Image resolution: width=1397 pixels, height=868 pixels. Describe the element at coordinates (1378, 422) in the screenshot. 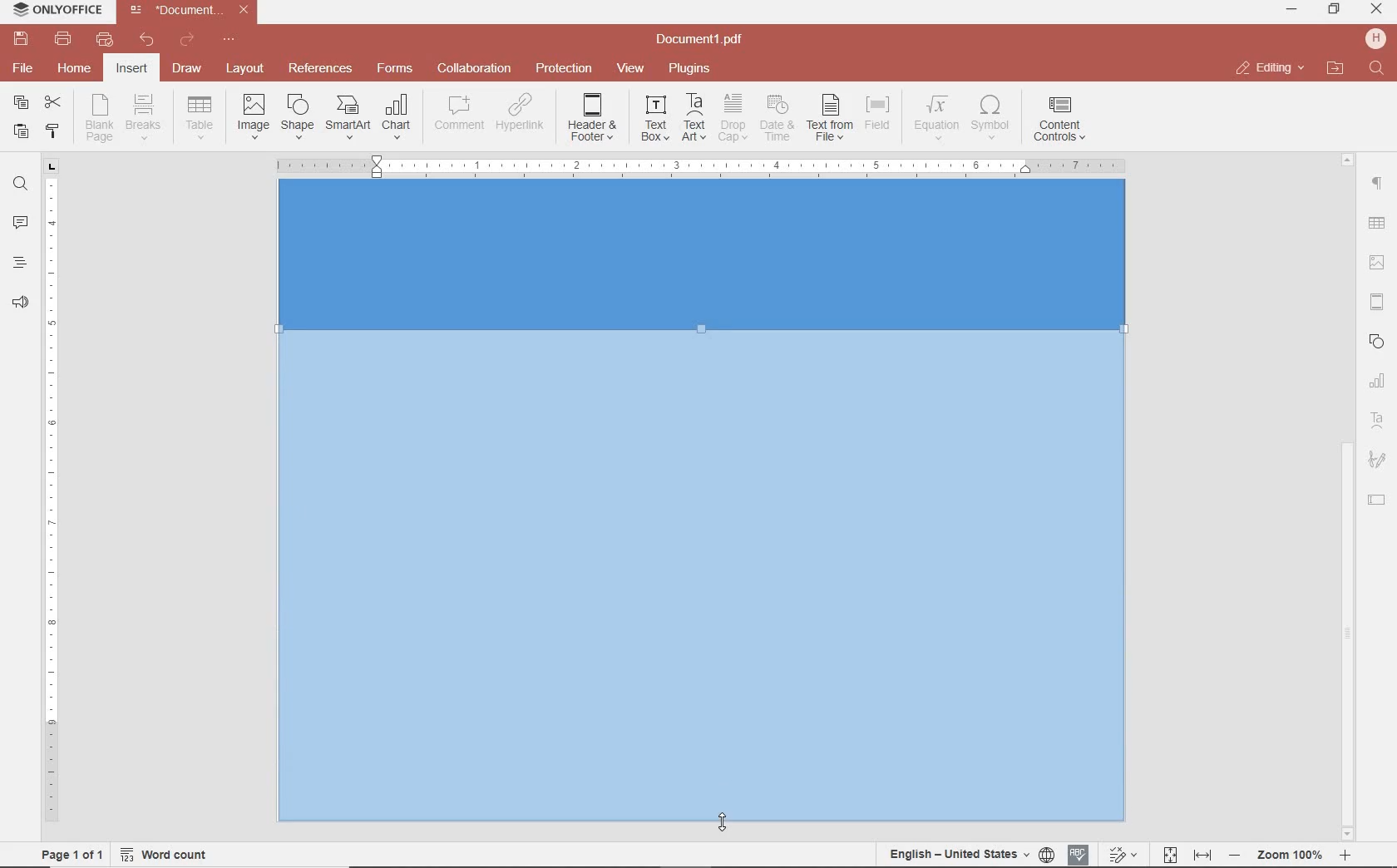

I see `TEXT ART` at that location.